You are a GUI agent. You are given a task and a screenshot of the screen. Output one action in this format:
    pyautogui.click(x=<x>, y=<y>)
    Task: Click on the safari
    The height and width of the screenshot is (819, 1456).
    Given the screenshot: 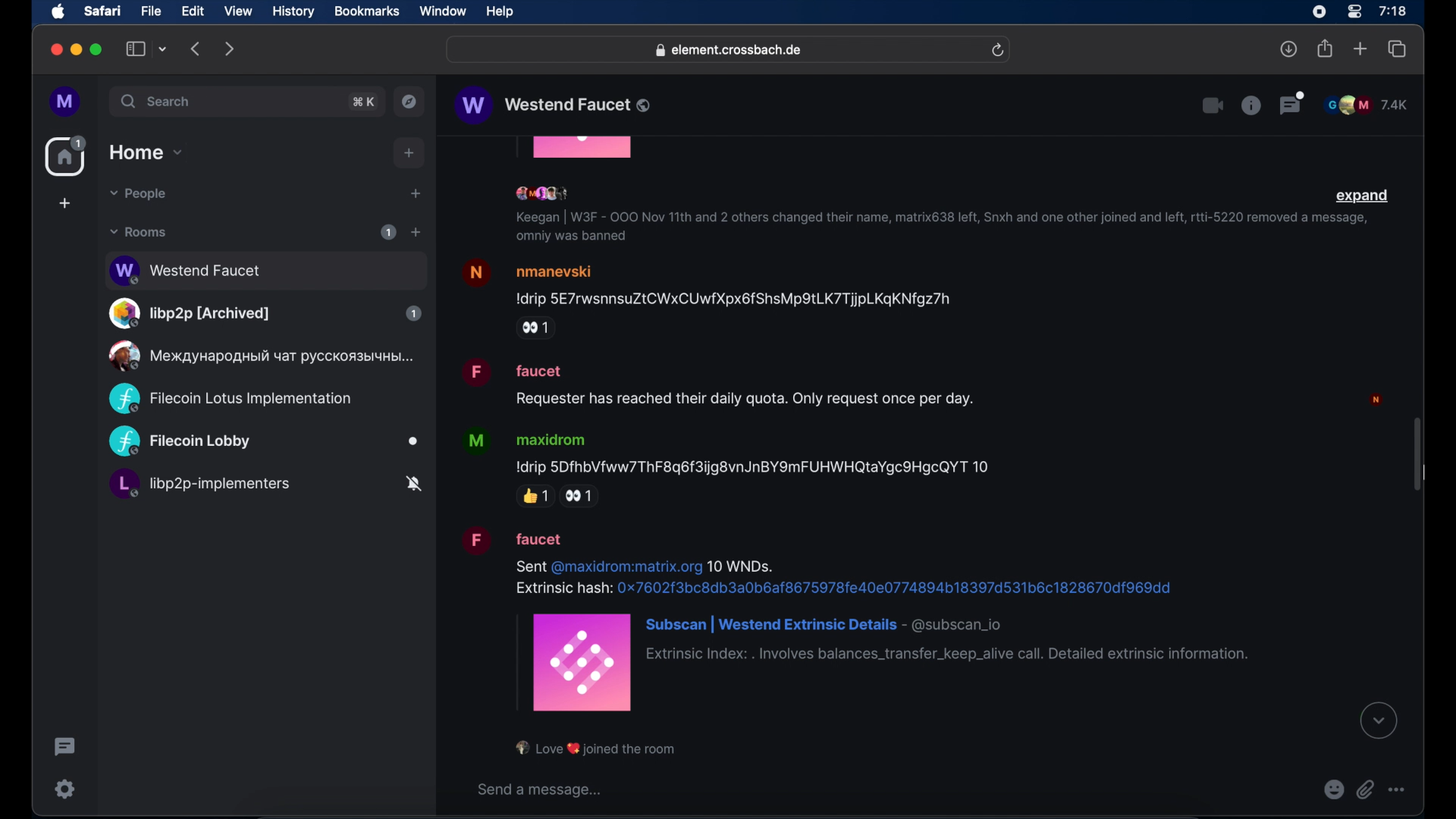 What is the action you would take?
    pyautogui.click(x=102, y=11)
    